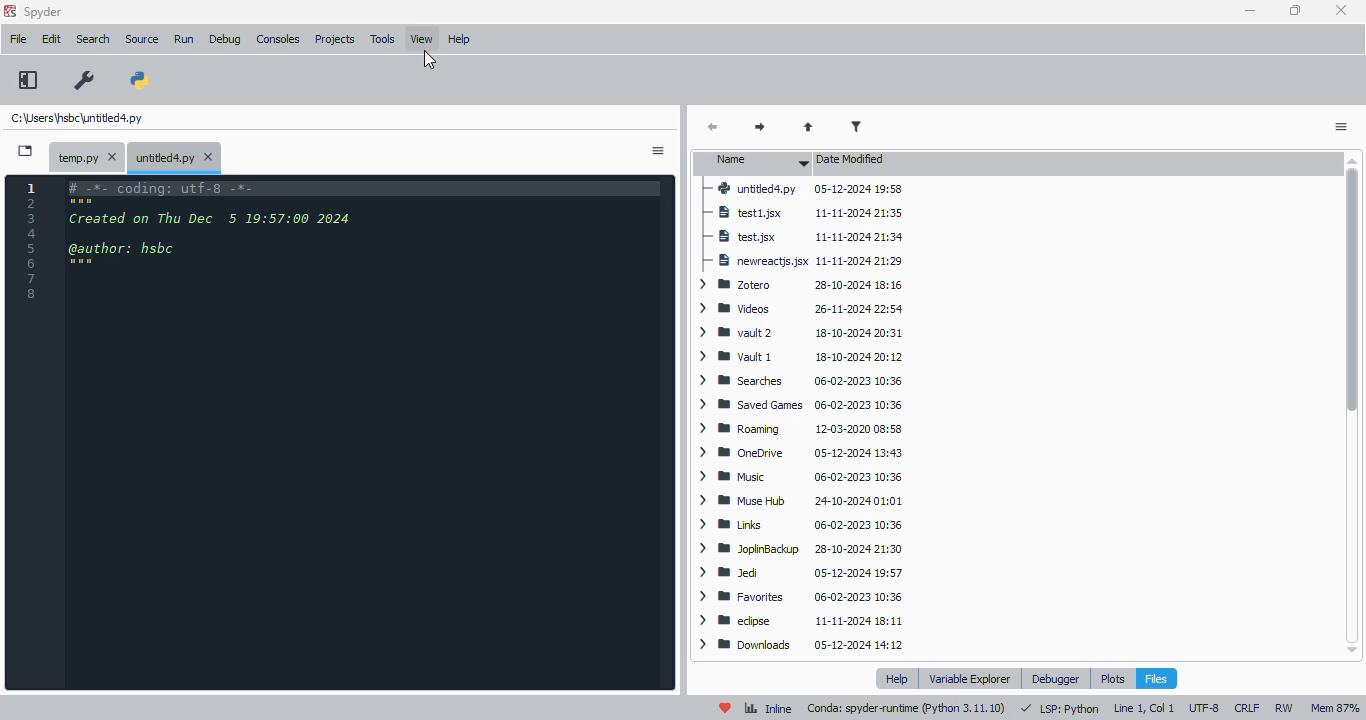  Describe the element at coordinates (1144, 708) in the screenshot. I see `line 1, col 1` at that location.